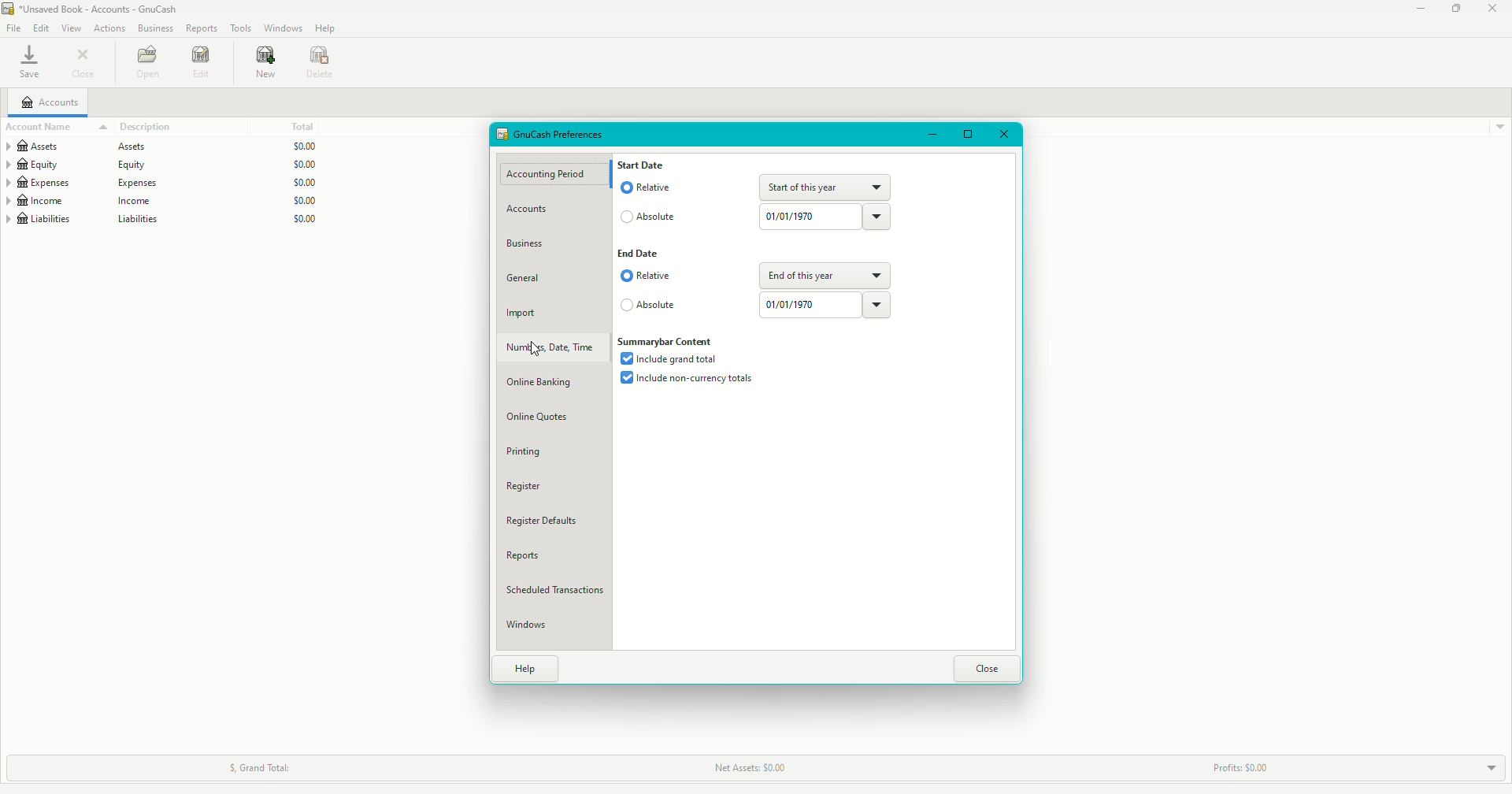 The height and width of the screenshot is (794, 1512). I want to click on Grand Total, so click(265, 765).